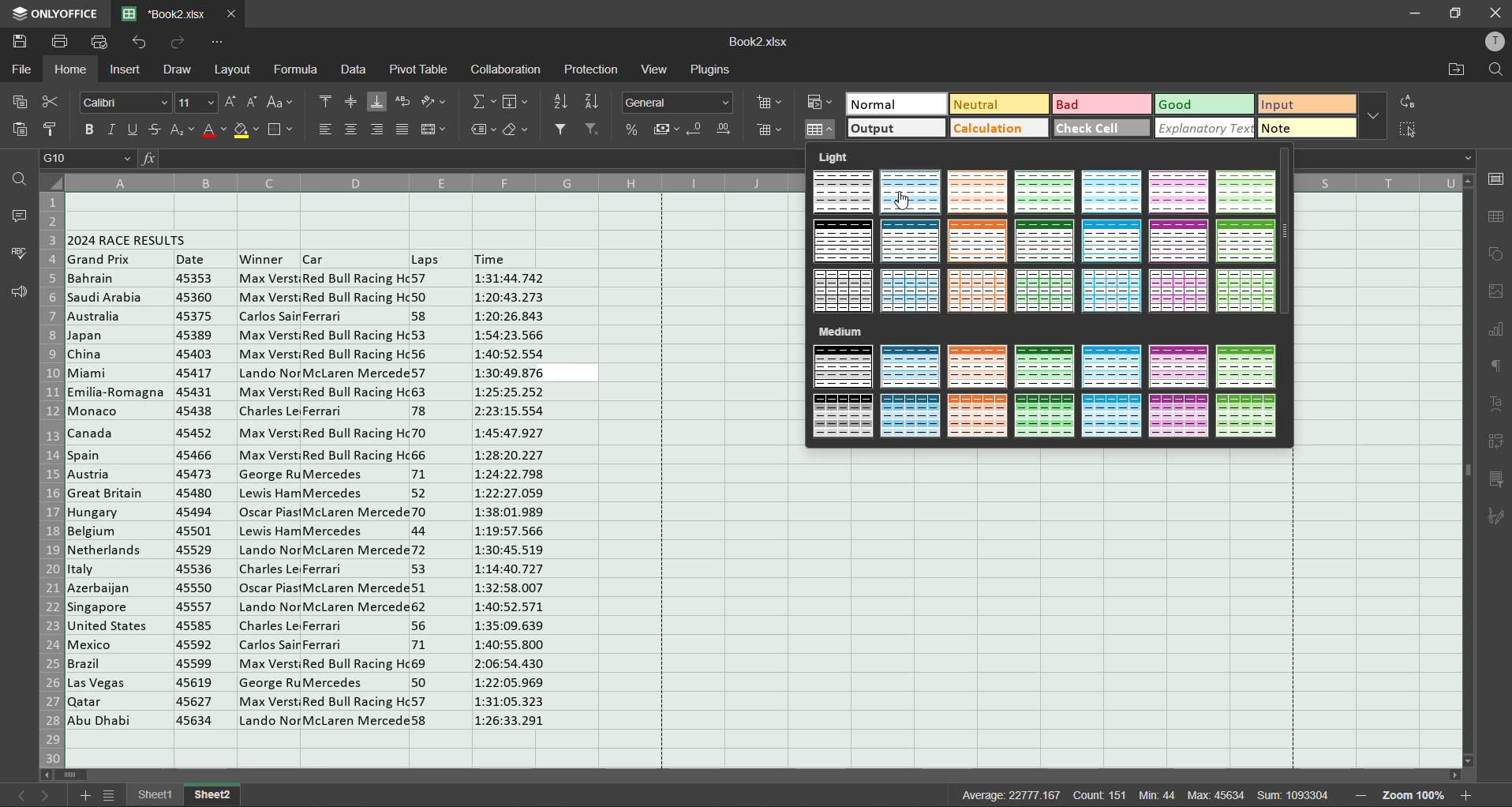  I want to click on paragraph, so click(1494, 371).